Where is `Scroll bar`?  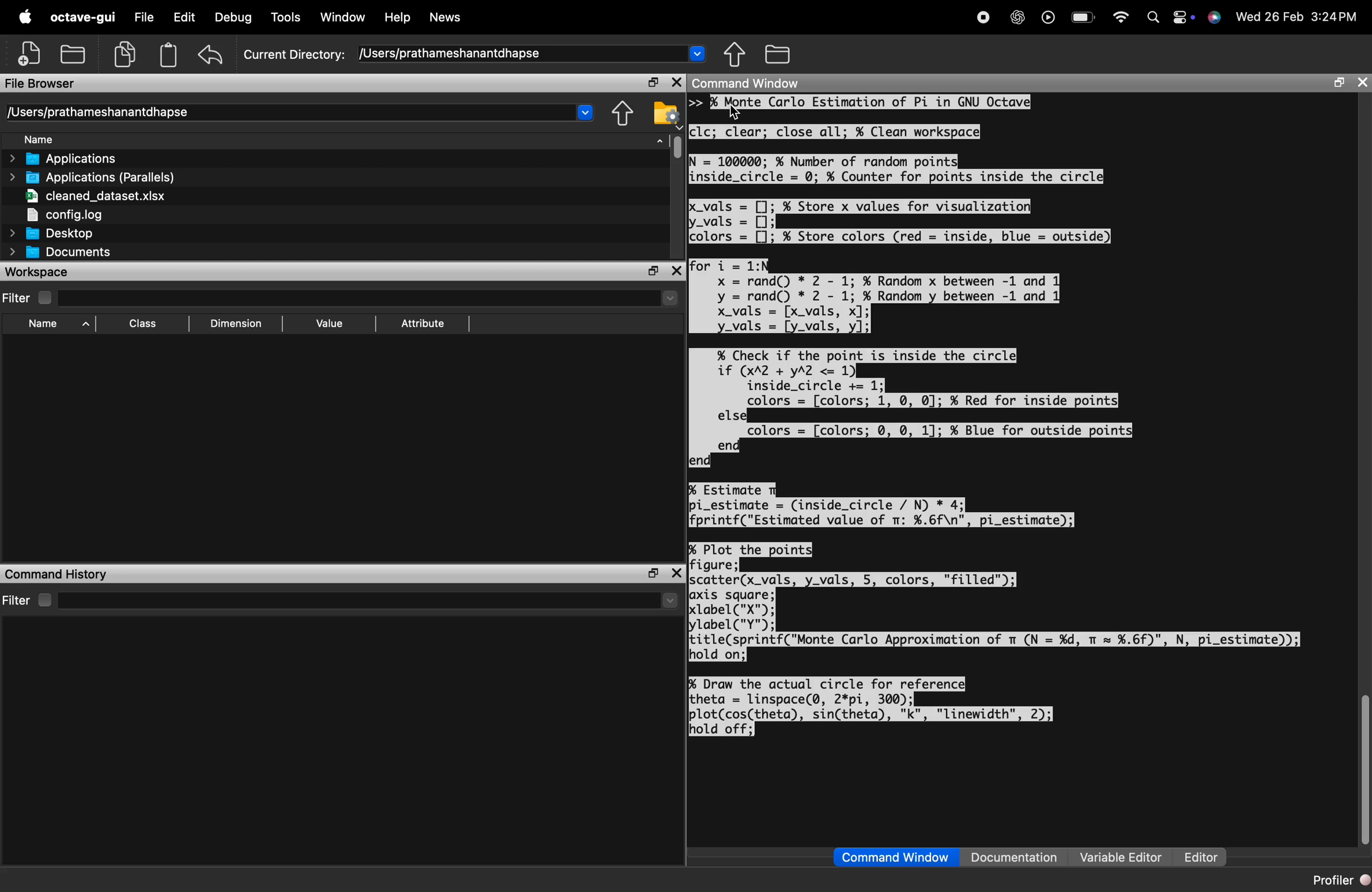
Scroll bar is located at coordinates (677, 146).